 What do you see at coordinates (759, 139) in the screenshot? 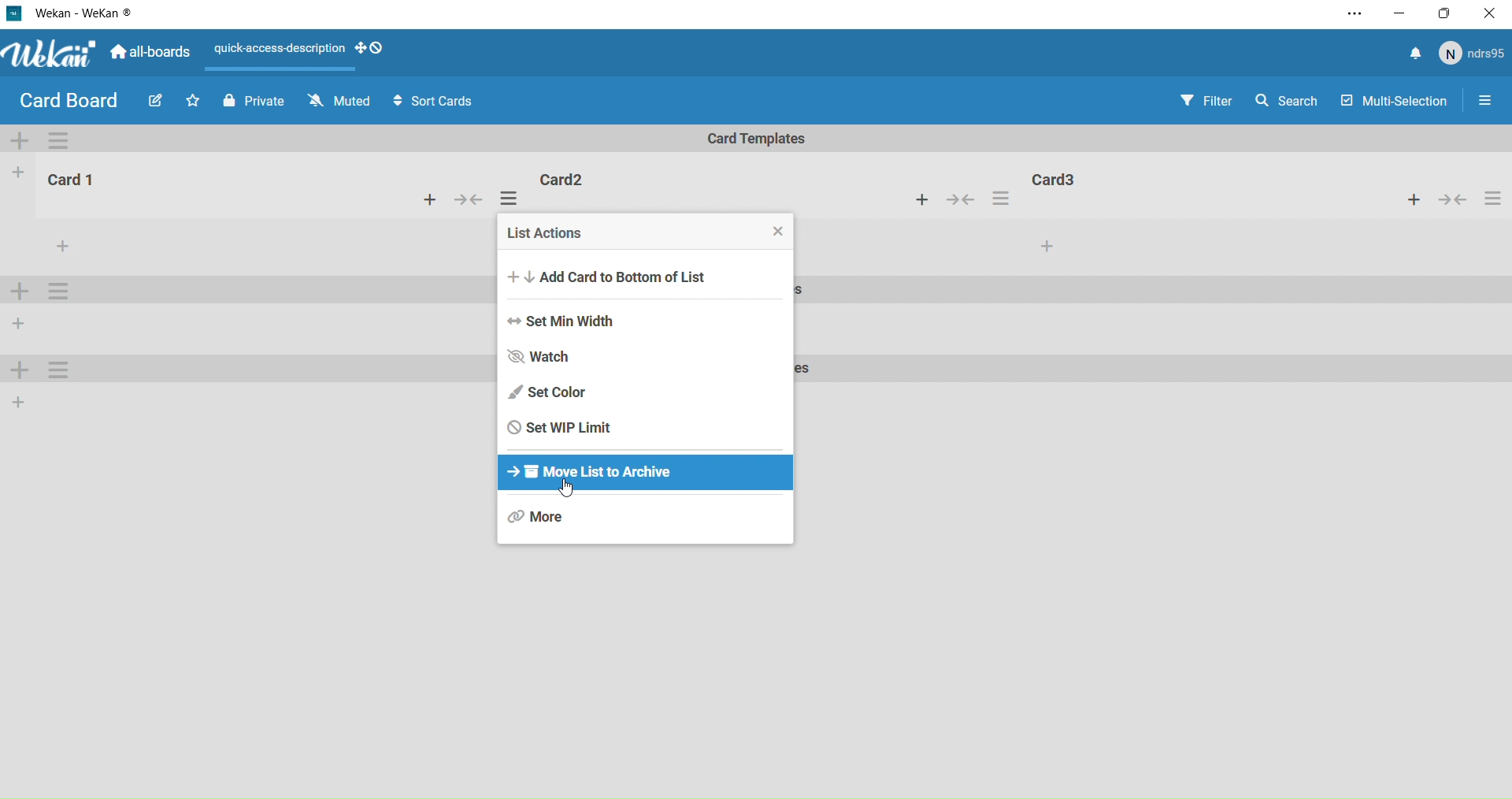
I see `Card Templates` at bounding box center [759, 139].